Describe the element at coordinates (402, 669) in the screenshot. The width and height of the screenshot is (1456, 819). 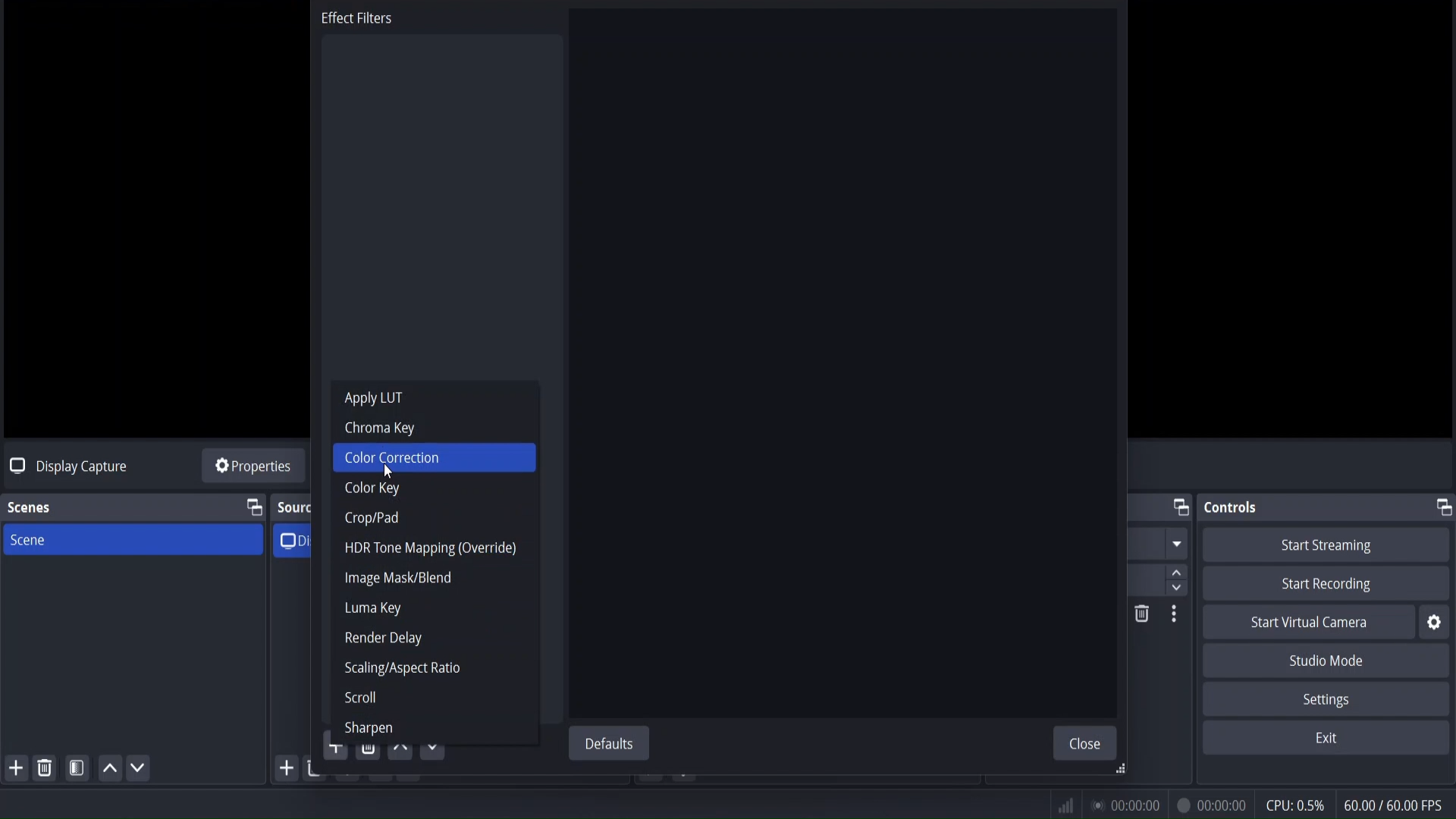
I see `scaling/aspect ratio` at that location.